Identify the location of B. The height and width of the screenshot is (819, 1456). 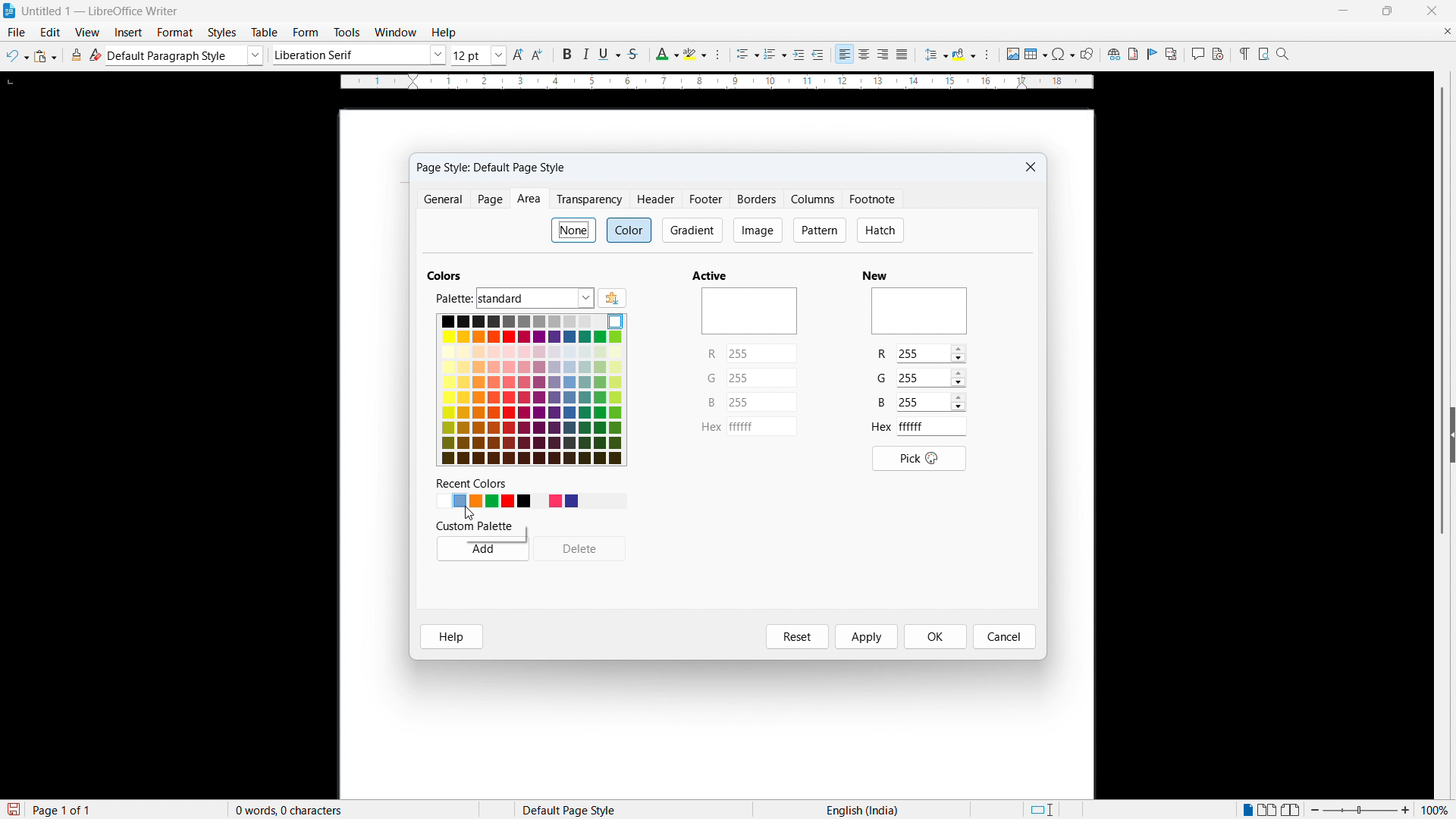
(880, 403).